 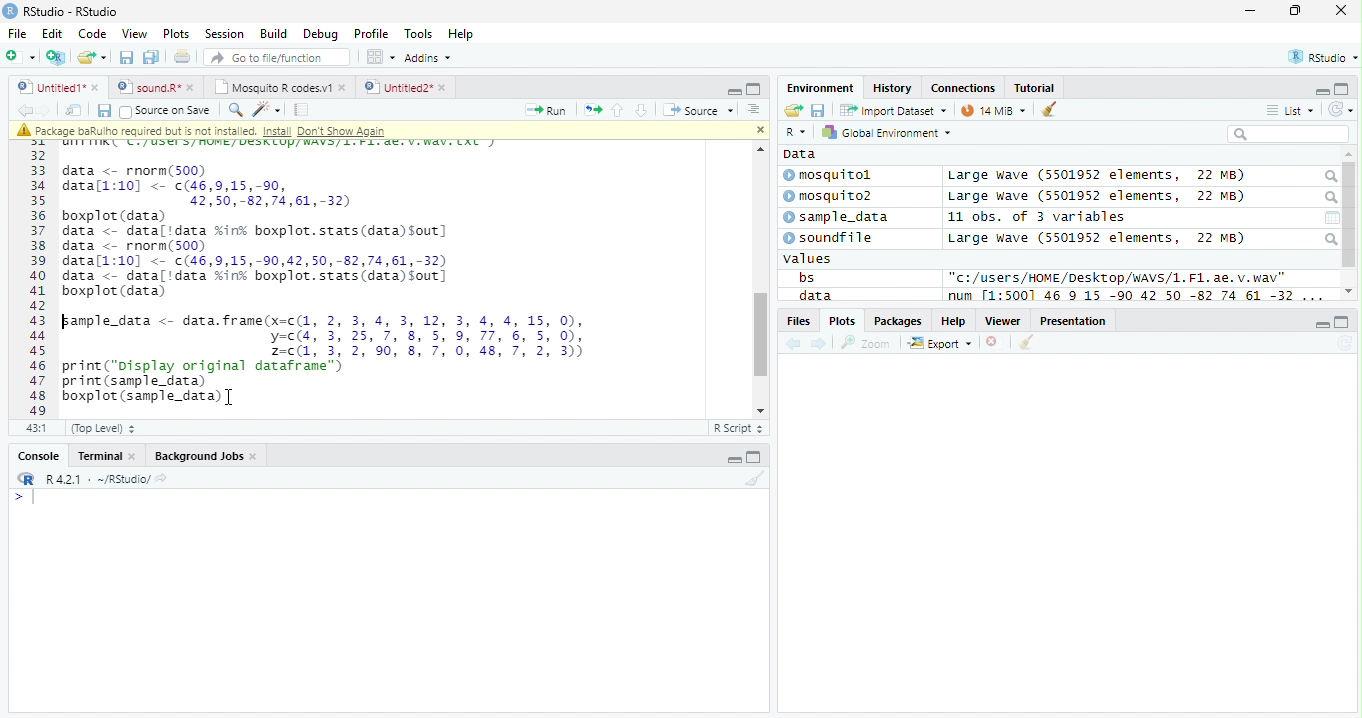 What do you see at coordinates (841, 321) in the screenshot?
I see `Plots` at bounding box center [841, 321].